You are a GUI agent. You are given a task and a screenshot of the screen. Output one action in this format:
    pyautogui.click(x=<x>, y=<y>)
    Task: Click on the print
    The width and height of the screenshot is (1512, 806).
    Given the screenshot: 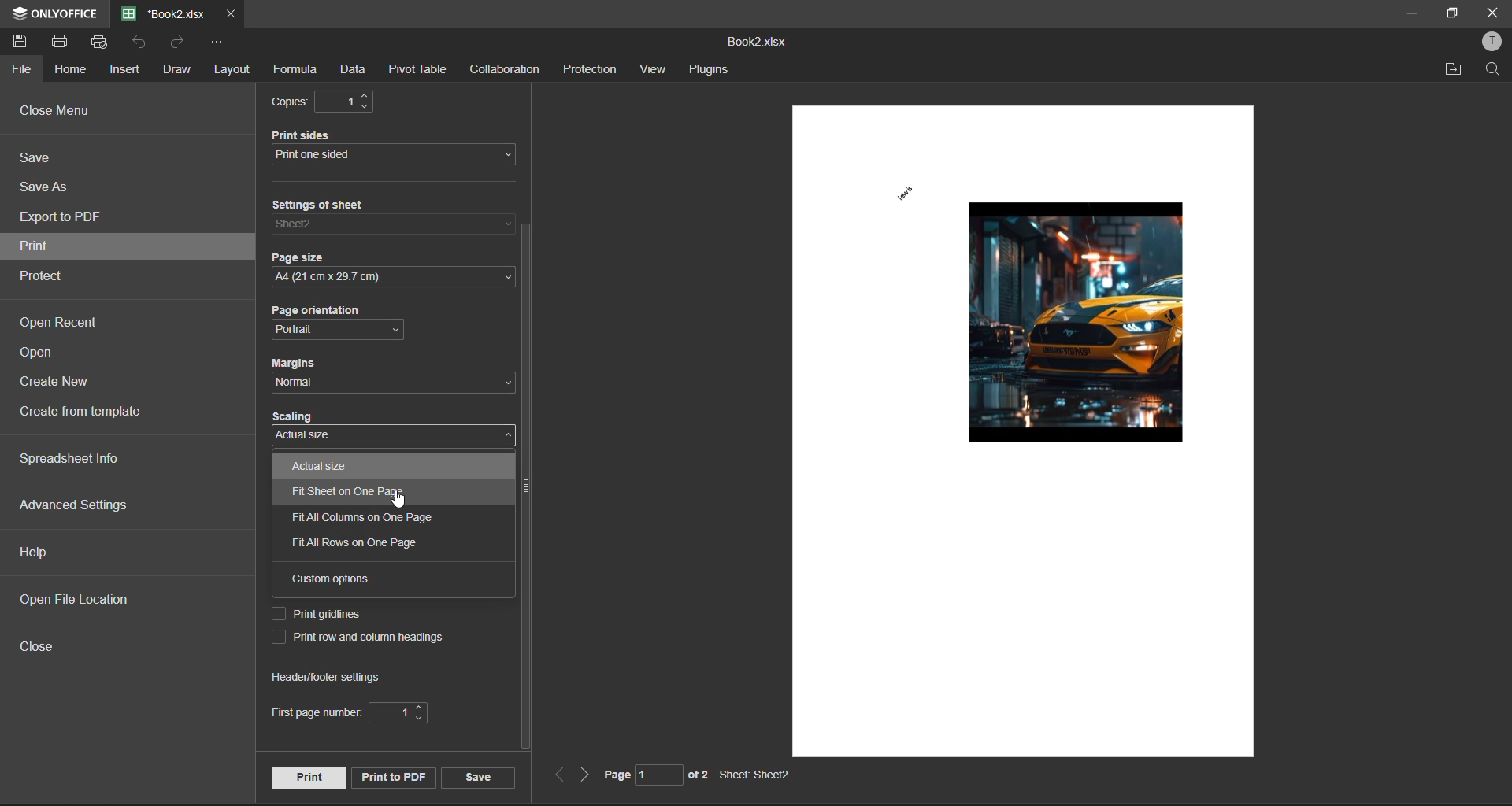 What is the action you would take?
    pyautogui.click(x=307, y=777)
    